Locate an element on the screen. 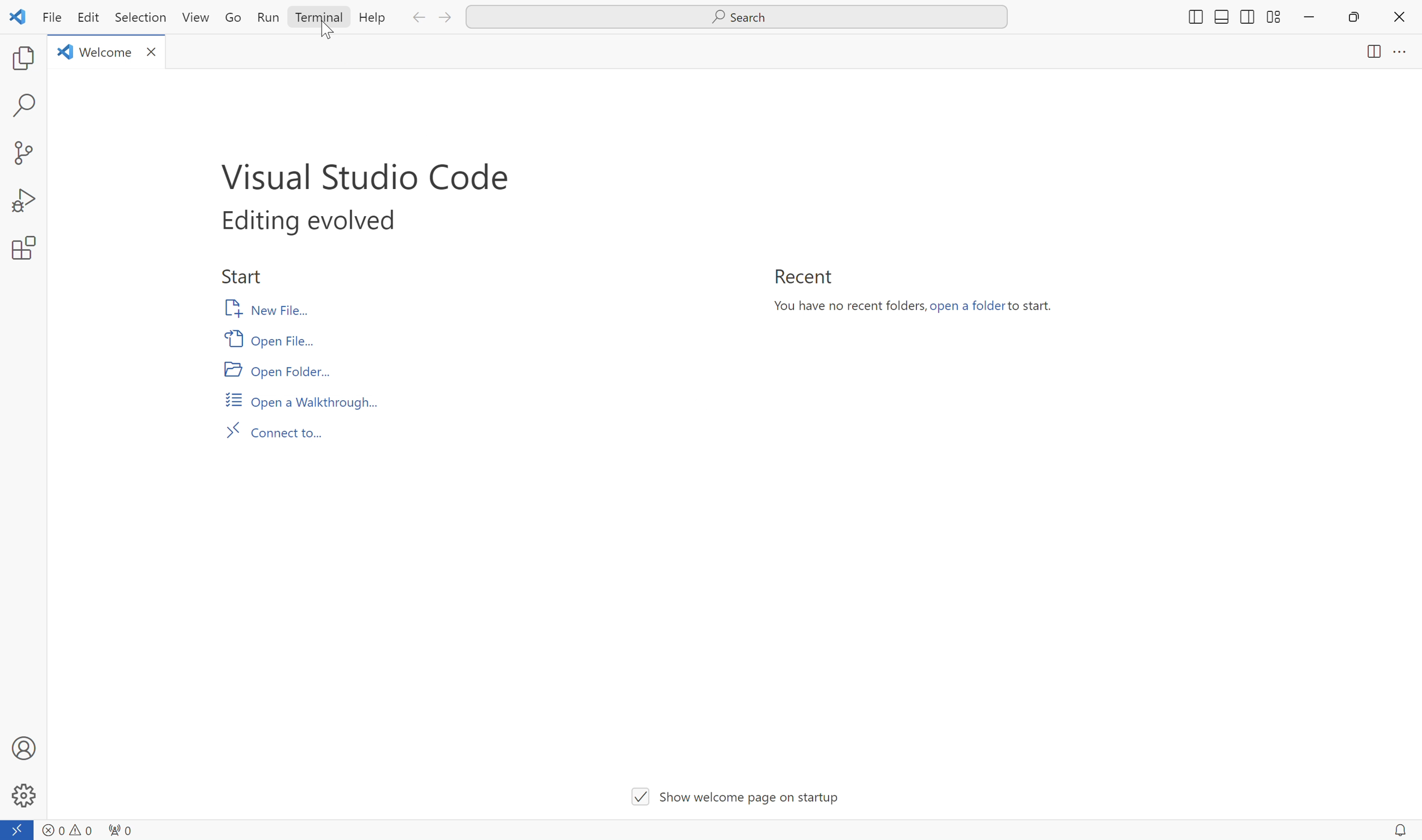  cursor is located at coordinates (330, 32).